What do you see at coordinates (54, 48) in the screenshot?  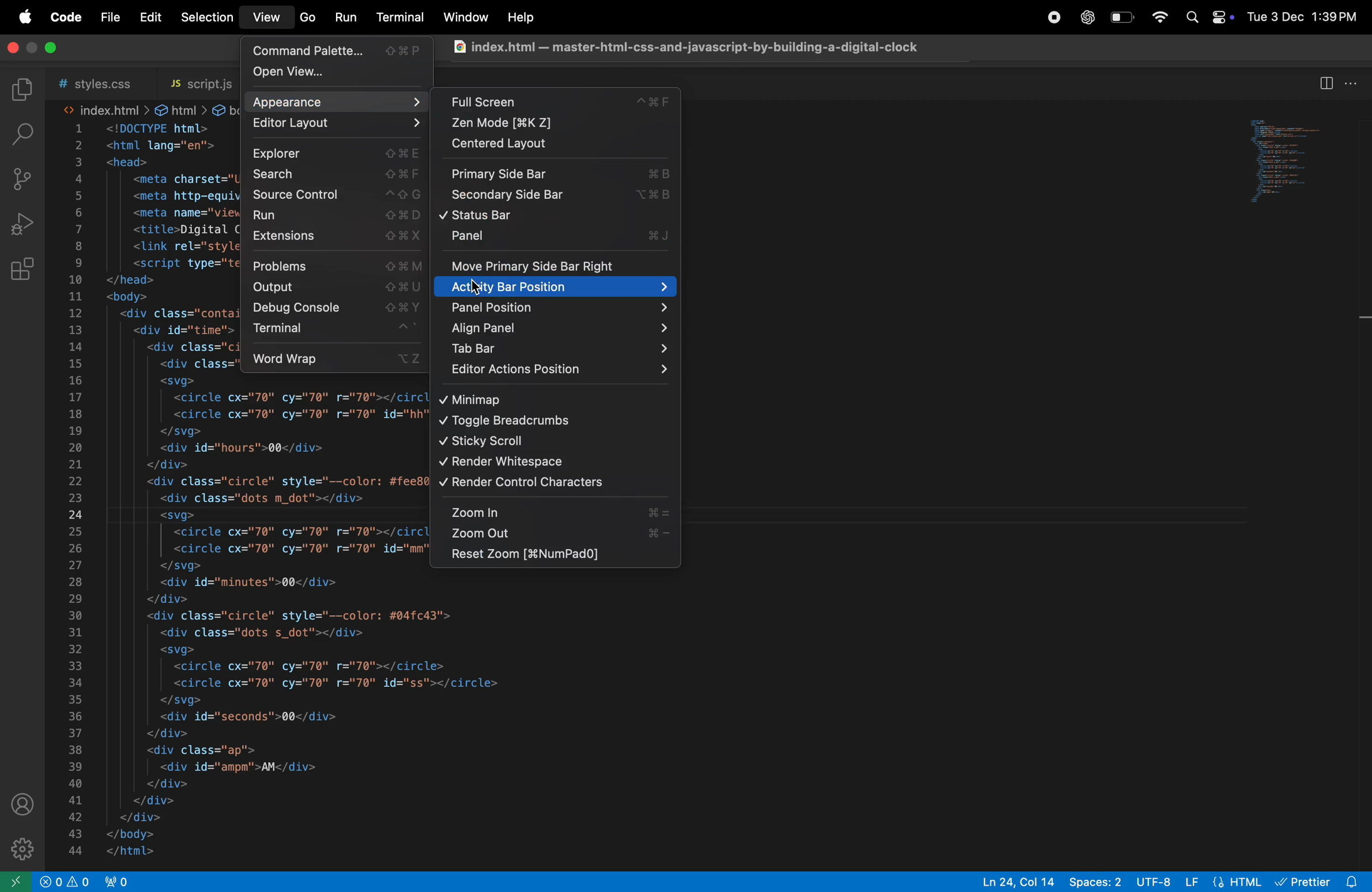 I see `maximize` at bounding box center [54, 48].